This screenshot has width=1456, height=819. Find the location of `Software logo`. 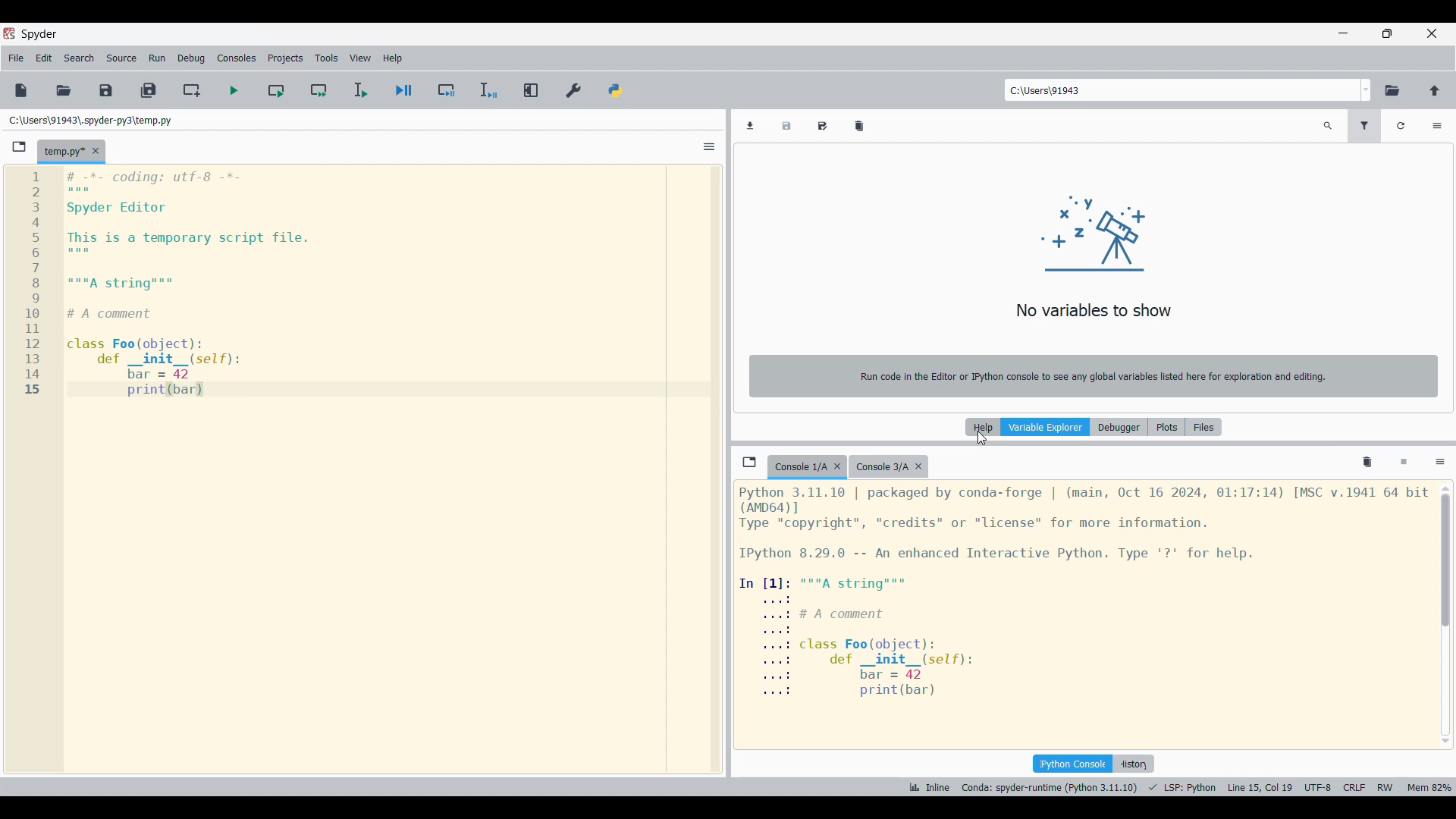

Software logo is located at coordinates (9, 33).